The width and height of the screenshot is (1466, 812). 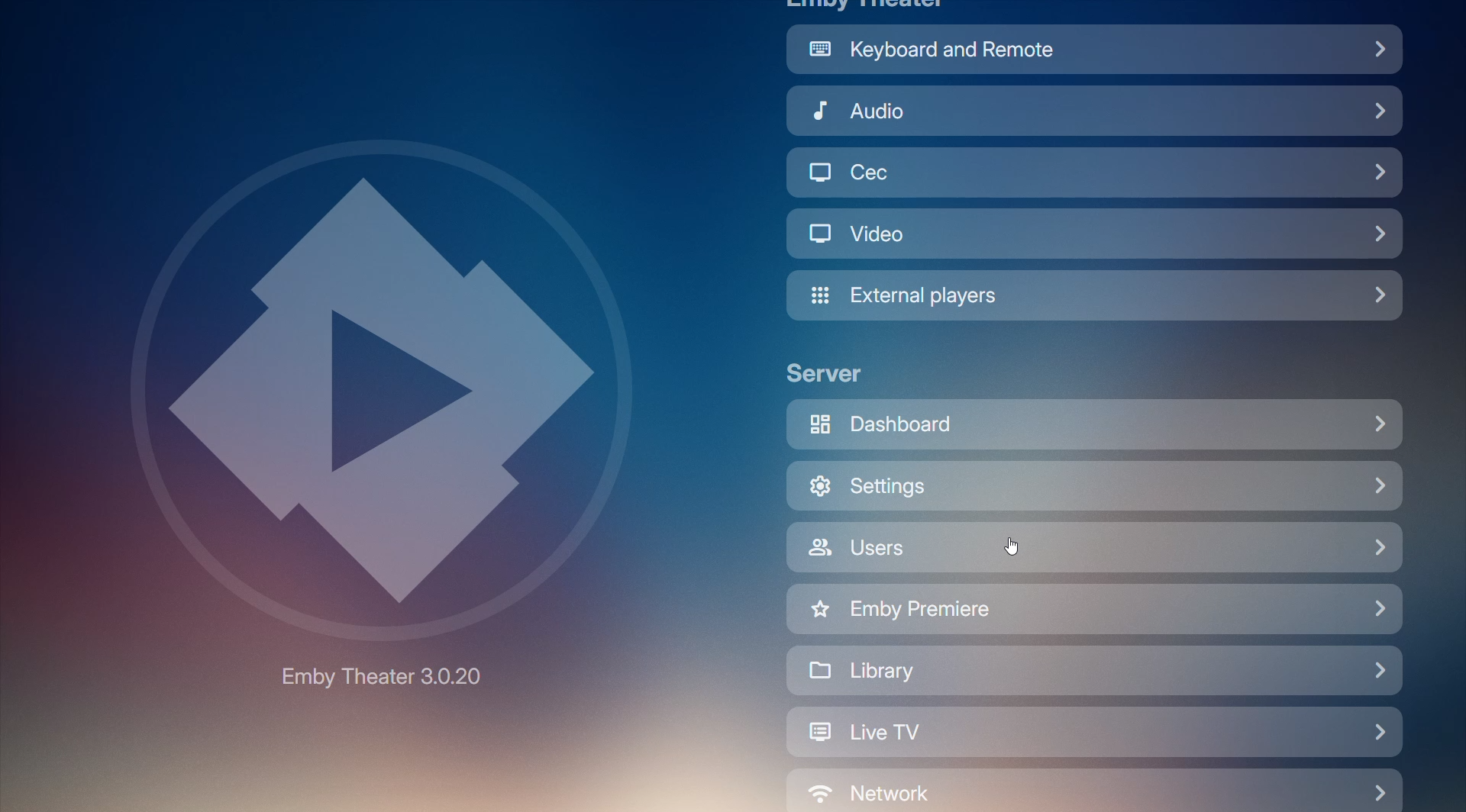 What do you see at coordinates (865, 9) in the screenshot?
I see `Emby Theater` at bounding box center [865, 9].